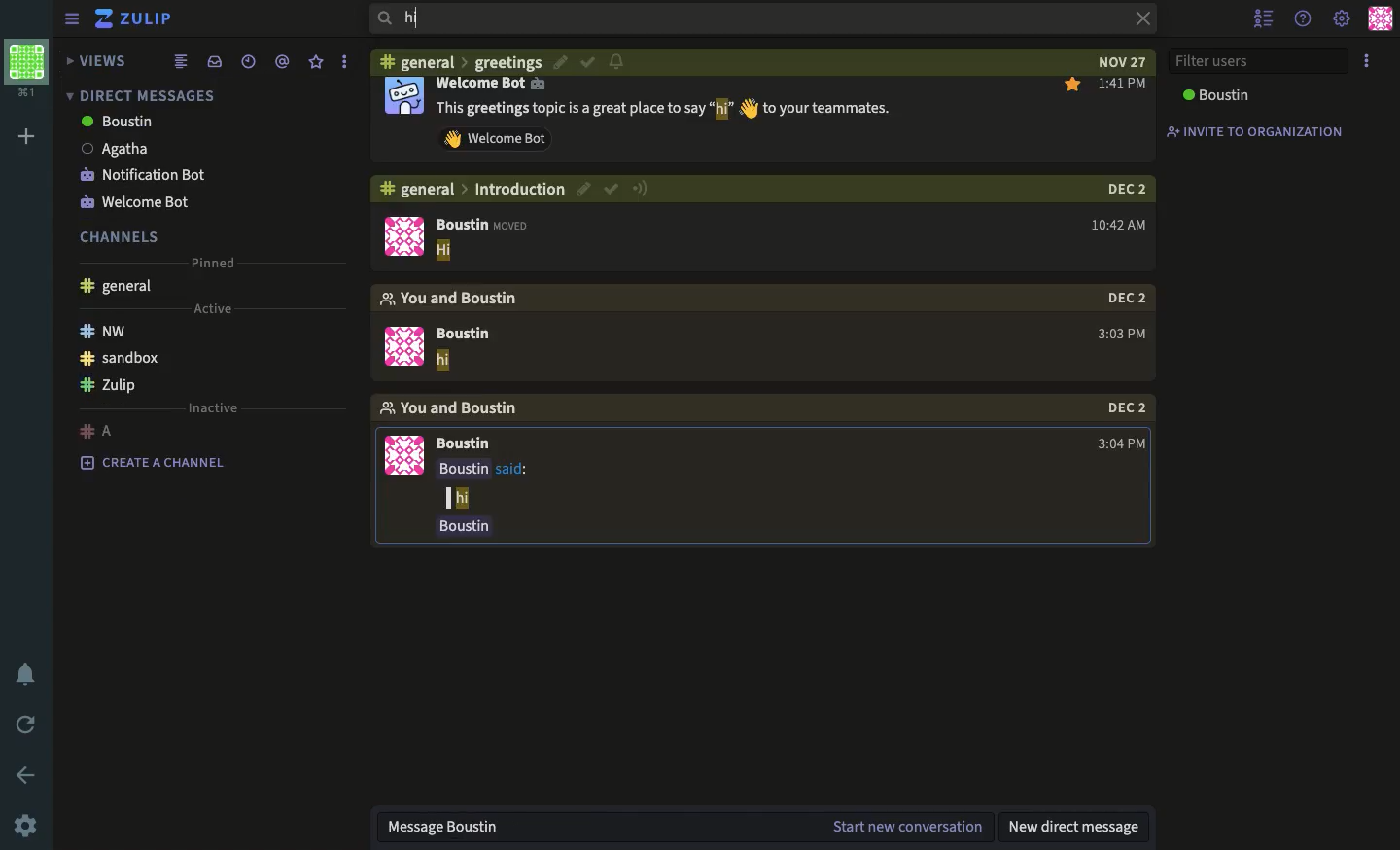 The height and width of the screenshot is (850, 1400). I want to click on hi, so click(443, 363).